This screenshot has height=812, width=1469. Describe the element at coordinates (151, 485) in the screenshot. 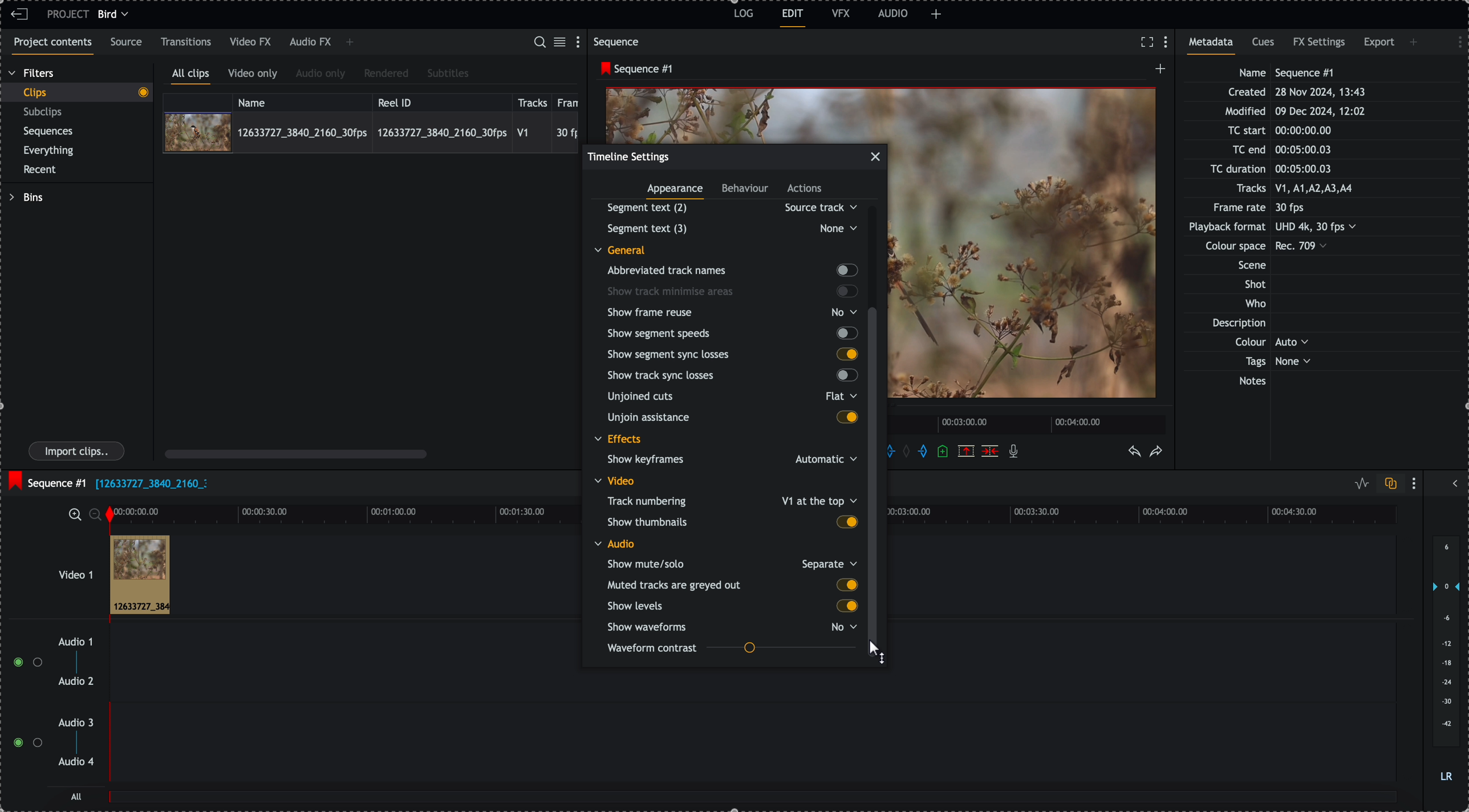

I see `file` at that location.